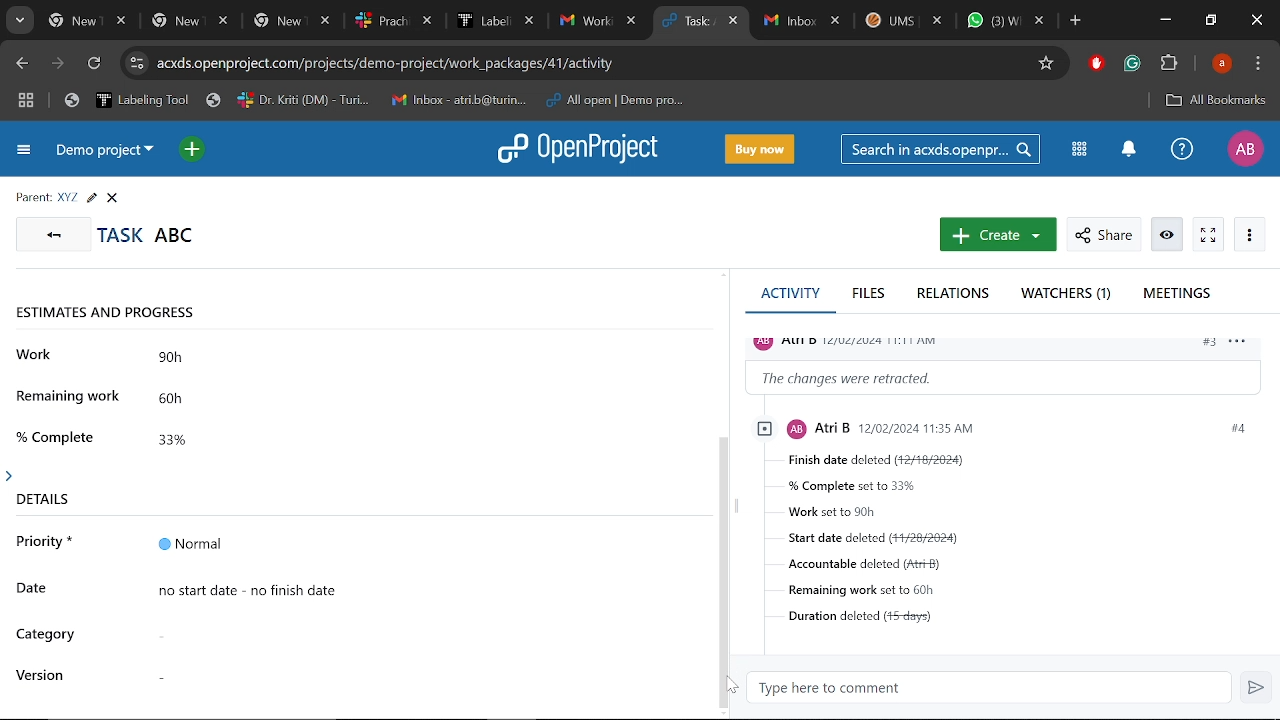 Image resolution: width=1280 pixels, height=720 pixels. Describe the element at coordinates (789, 298) in the screenshot. I see `Activity` at that location.